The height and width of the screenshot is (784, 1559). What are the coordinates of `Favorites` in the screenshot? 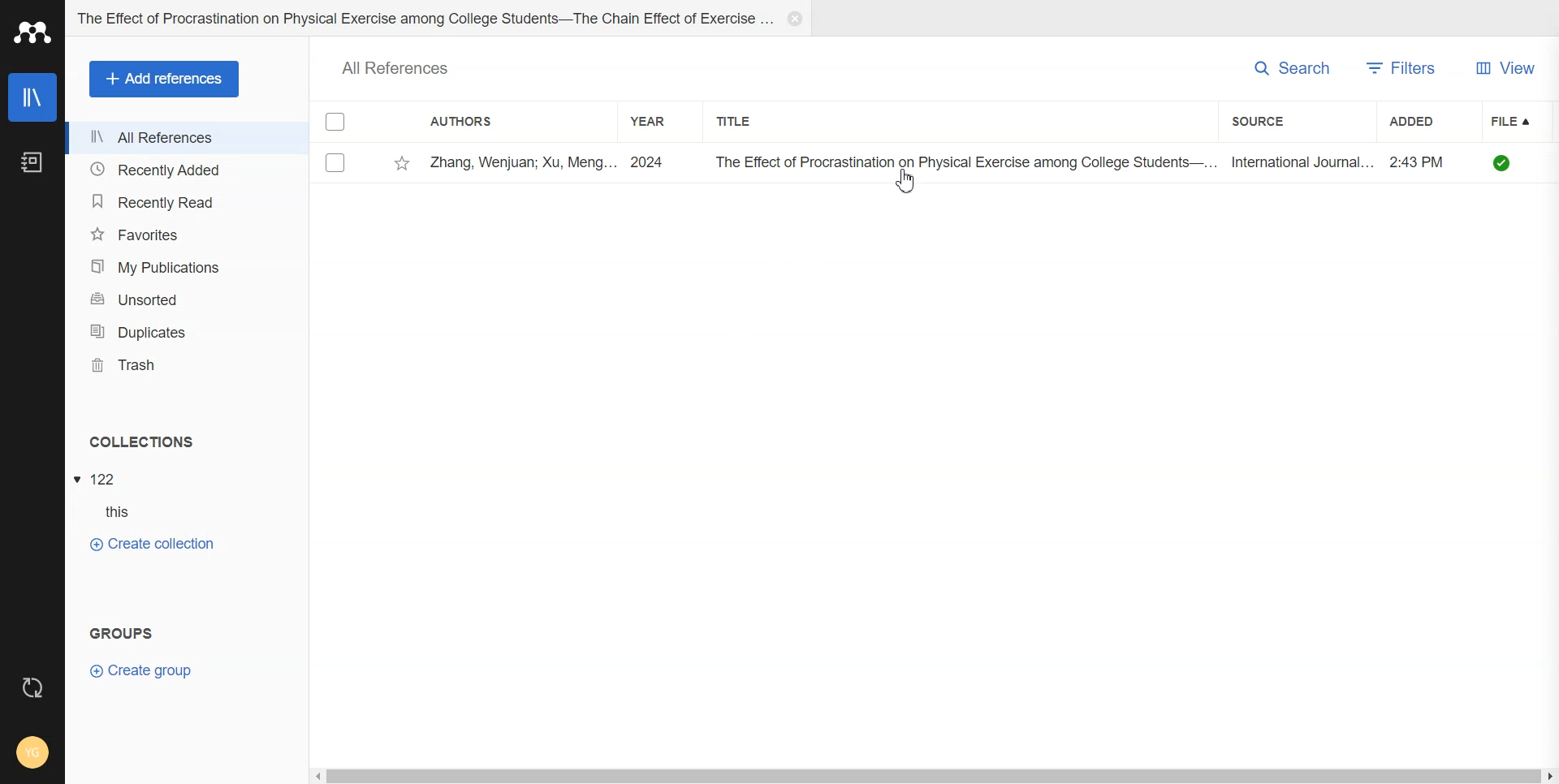 It's located at (187, 234).